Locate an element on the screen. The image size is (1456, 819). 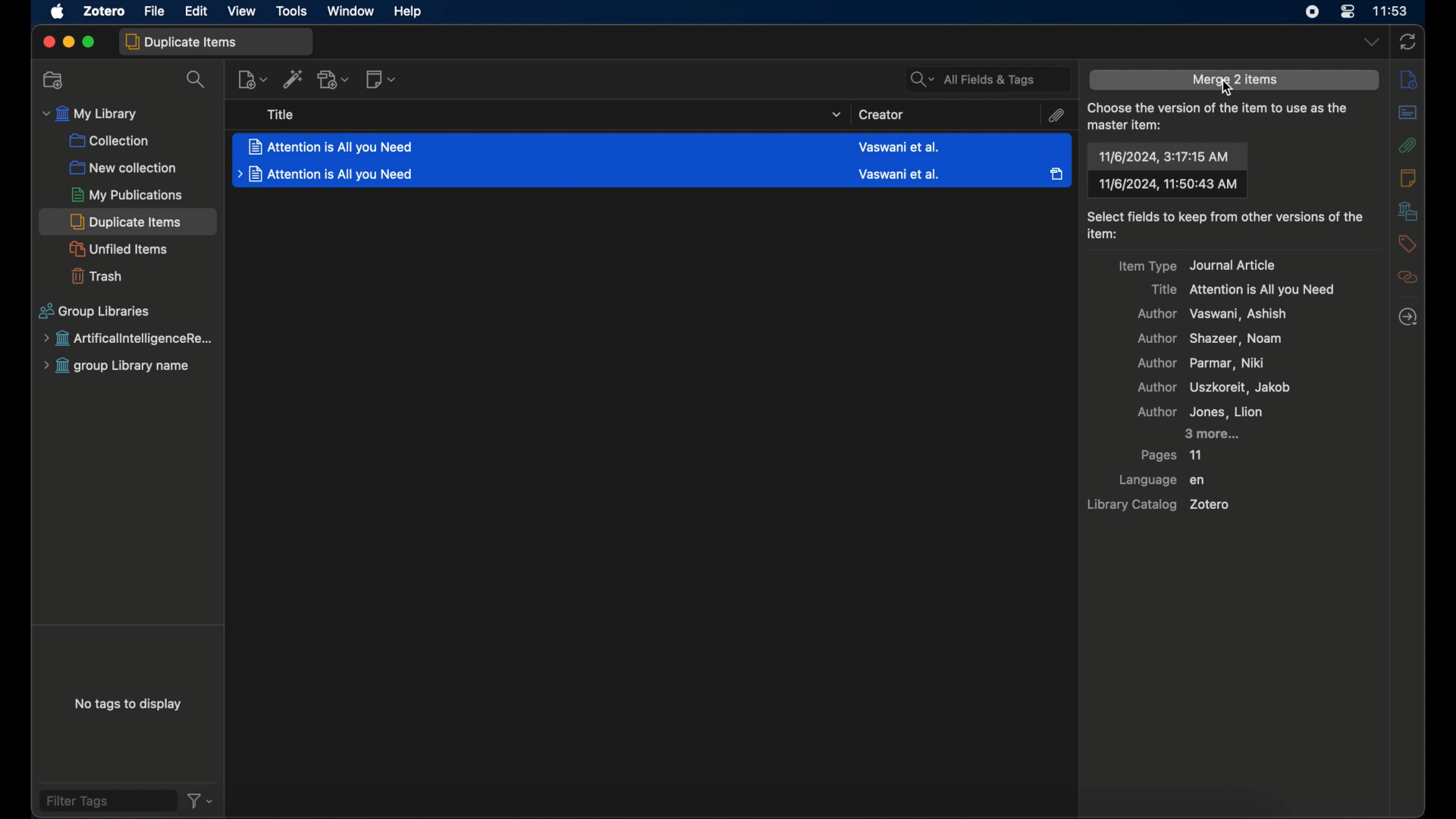
related is located at coordinates (1407, 278).